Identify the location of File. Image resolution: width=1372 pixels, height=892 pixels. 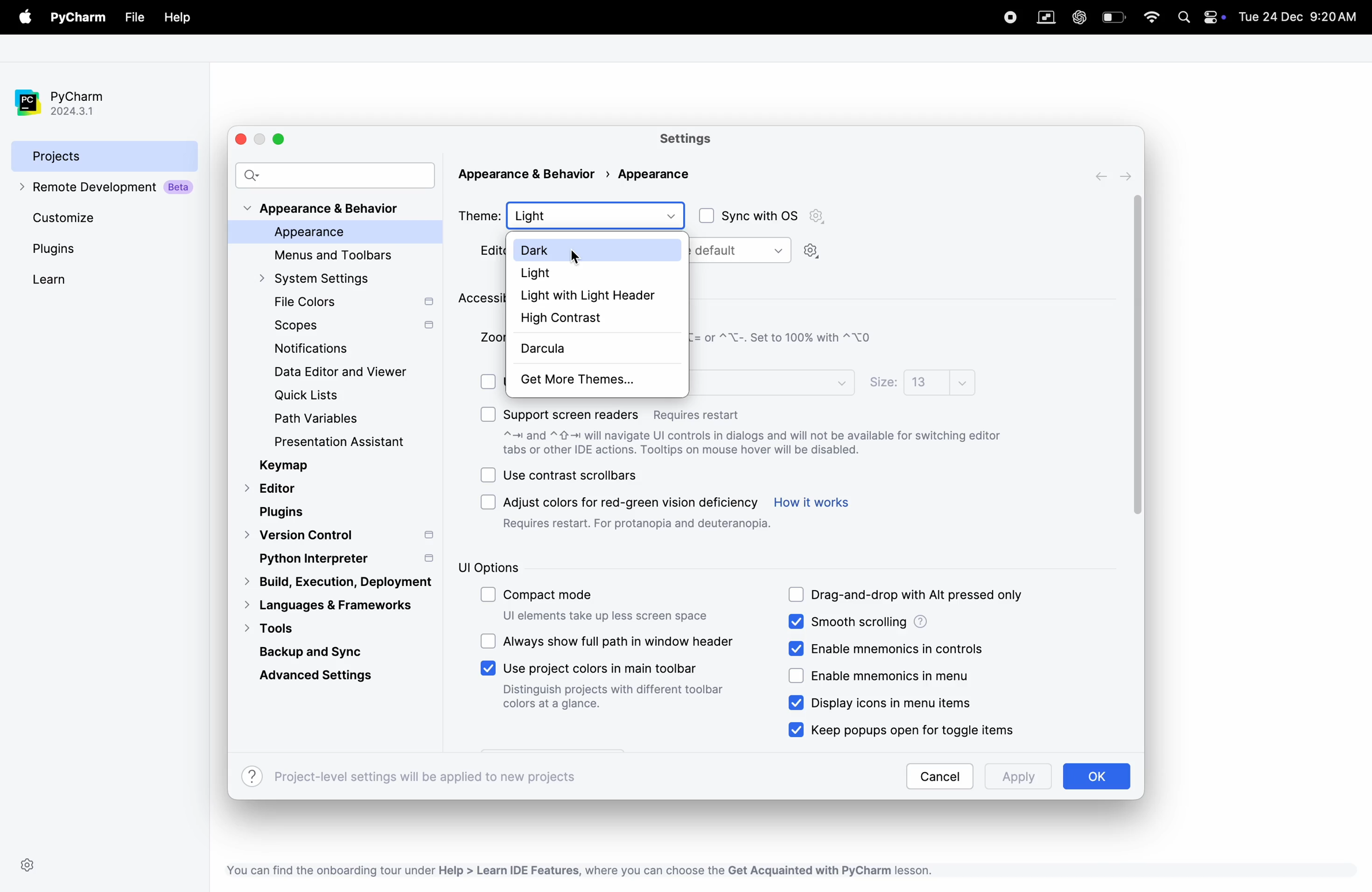
(133, 18).